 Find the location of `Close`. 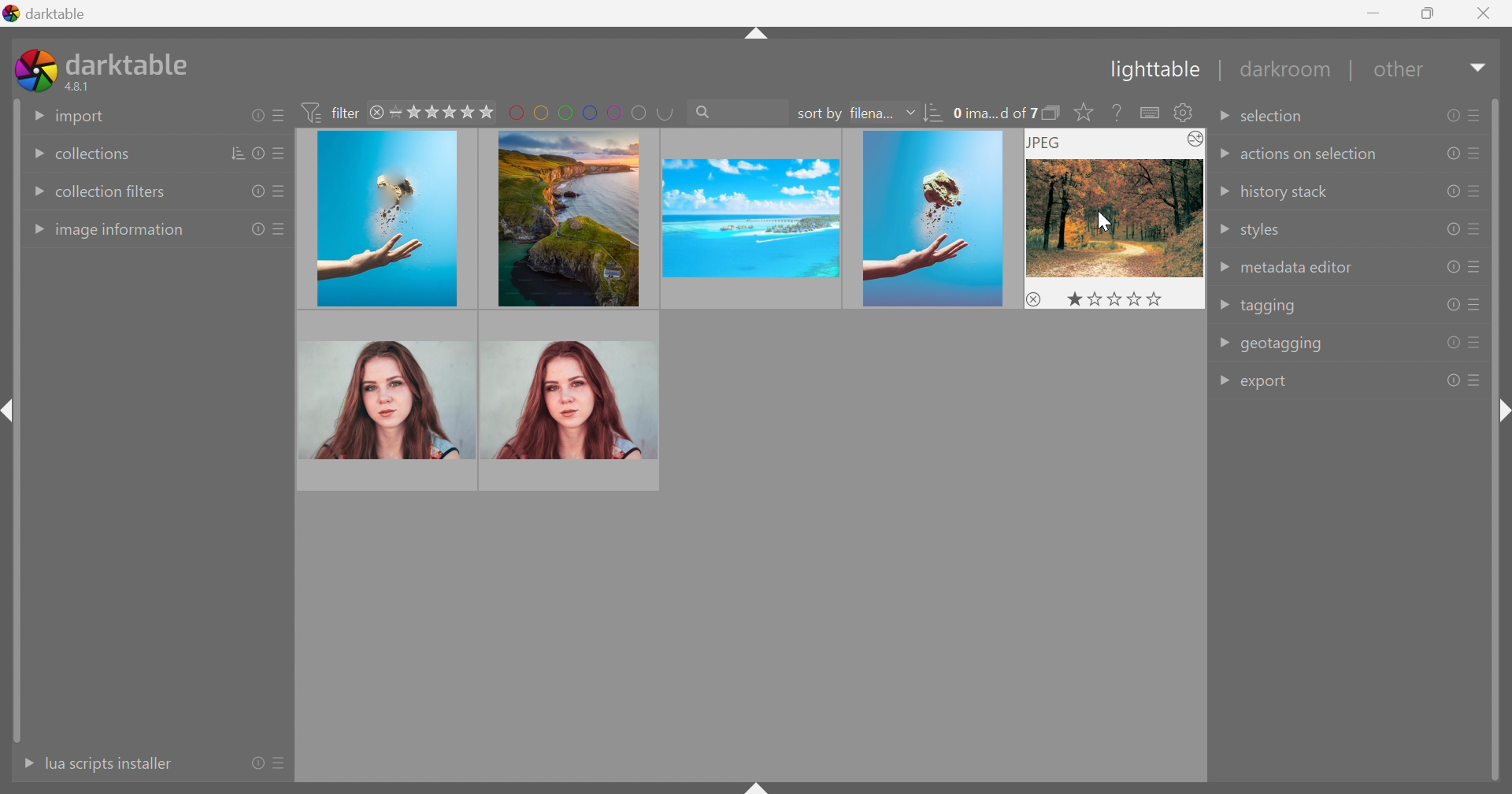

Close is located at coordinates (1484, 17).